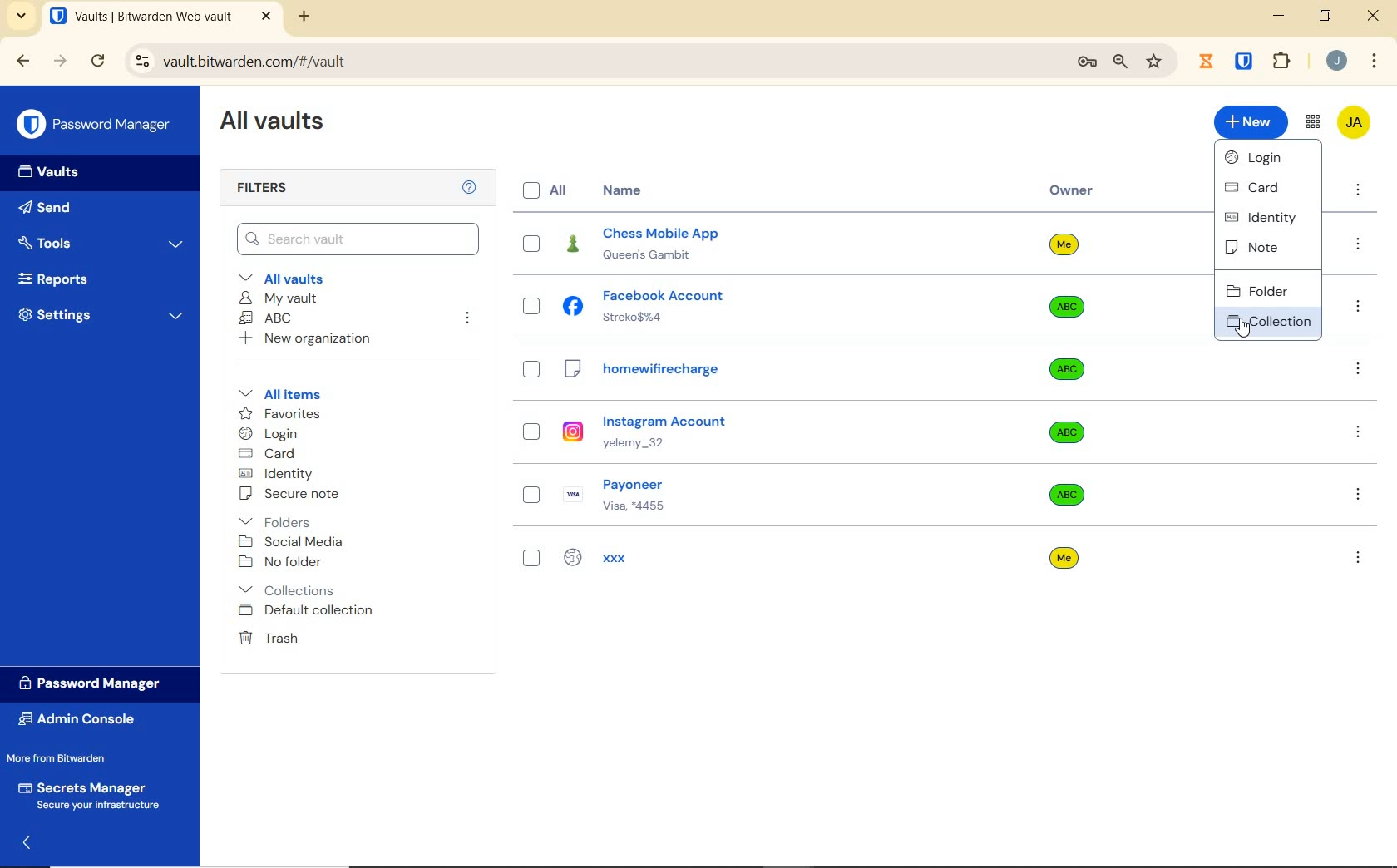 This screenshot has width=1397, height=868. Describe the element at coordinates (281, 394) in the screenshot. I see `All items` at that location.